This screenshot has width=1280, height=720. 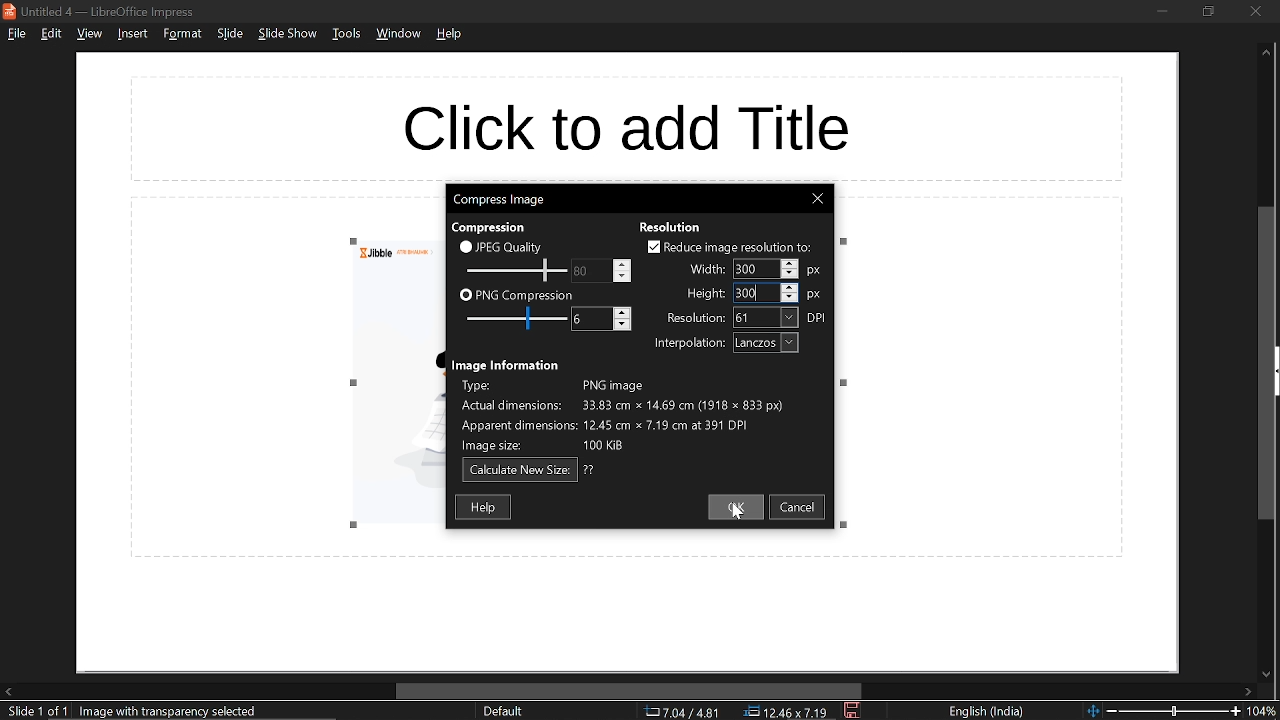 I want to click on slide show, so click(x=288, y=36).